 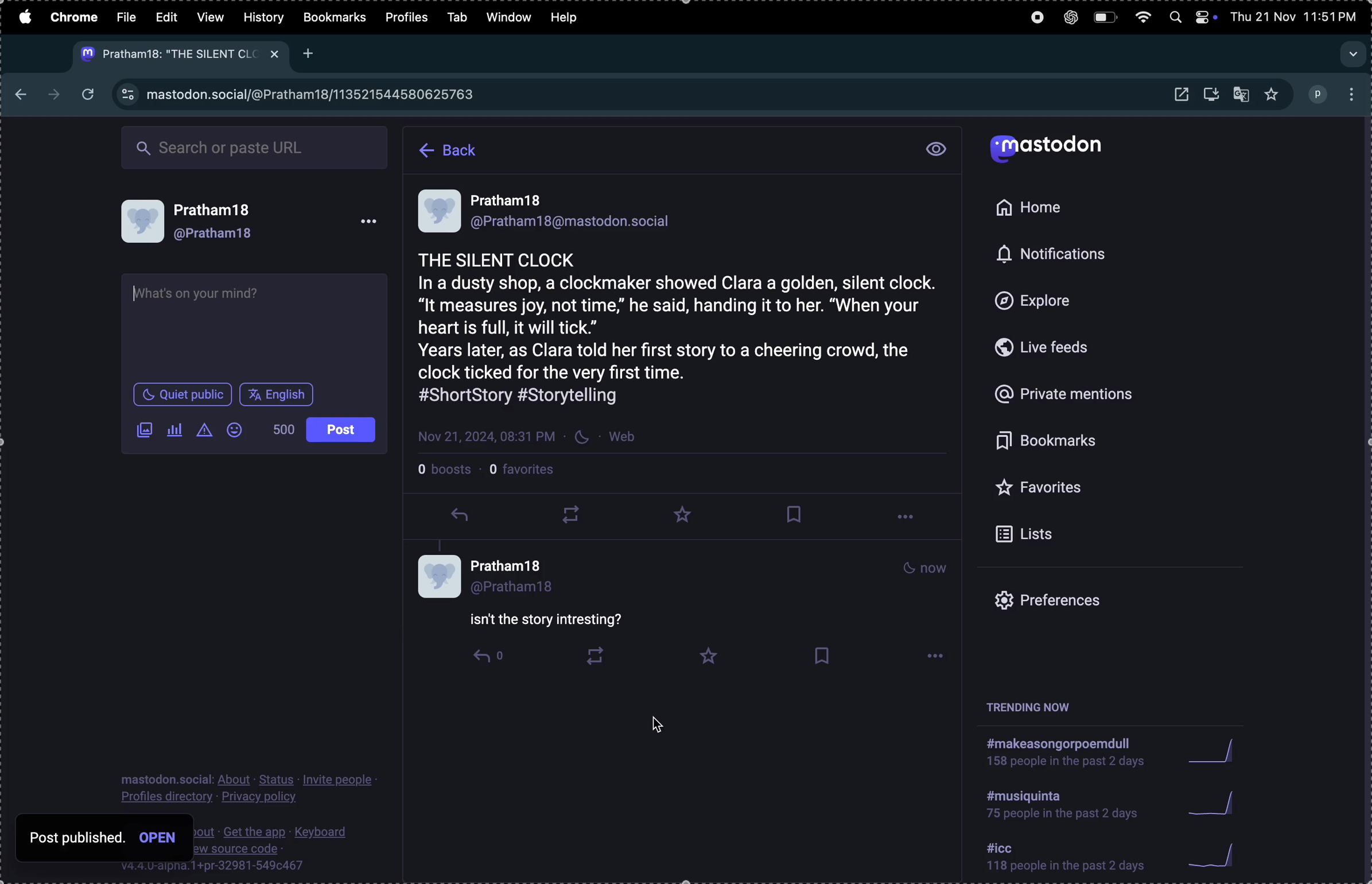 I want to click on private mentions, so click(x=1080, y=397).